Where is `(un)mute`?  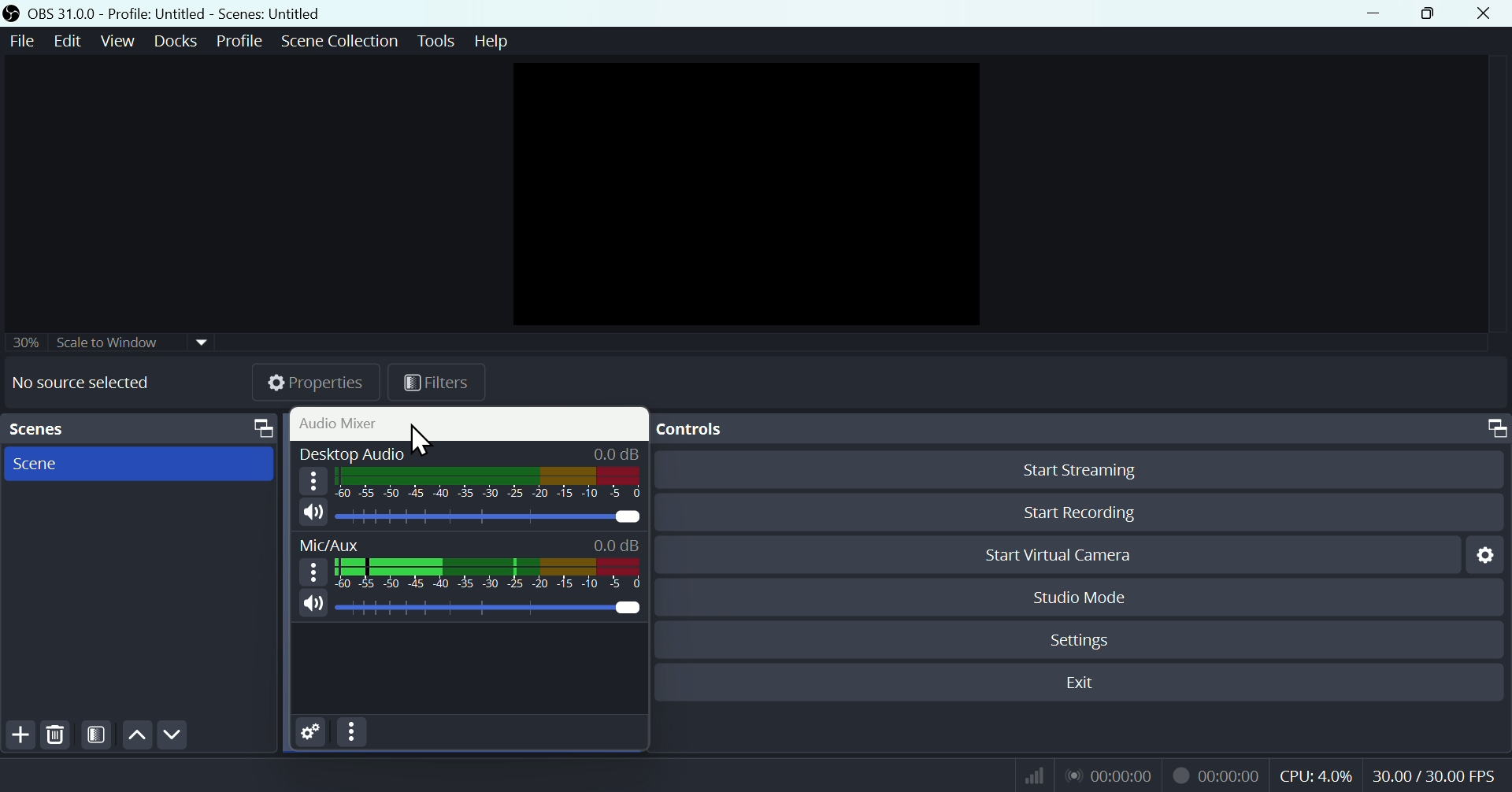
(un)mute is located at coordinates (313, 513).